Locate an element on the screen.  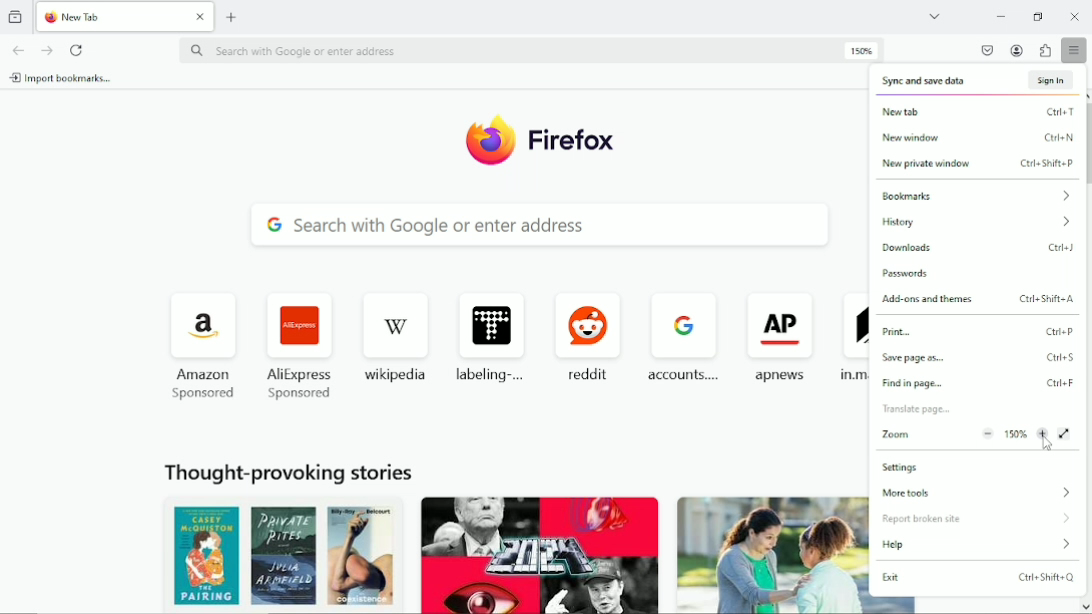
view recent browsing is located at coordinates (15, 17).